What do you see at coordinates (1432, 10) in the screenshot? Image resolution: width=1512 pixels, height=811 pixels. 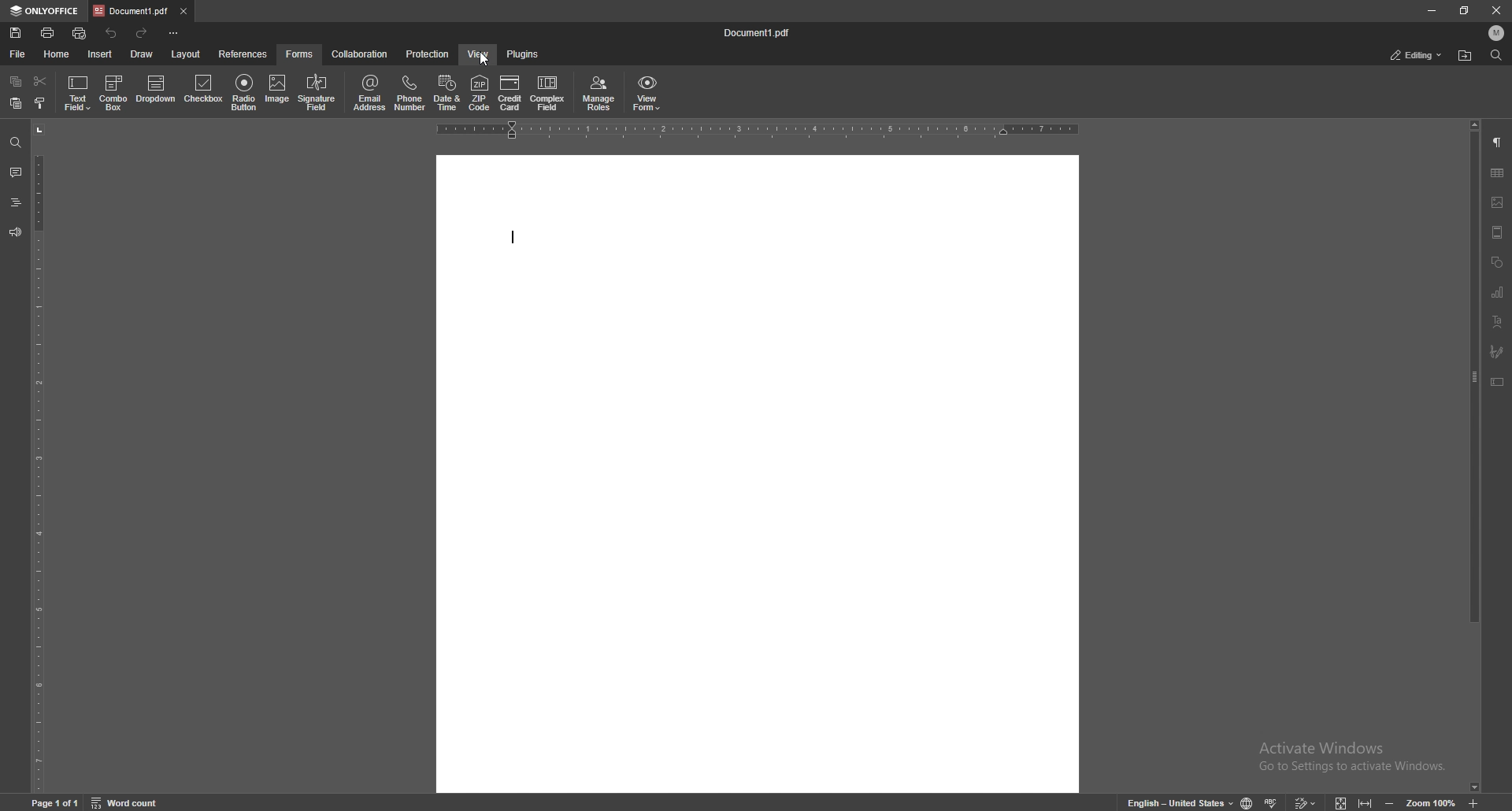 I see `minimize` at bounding box center [1432, 10].